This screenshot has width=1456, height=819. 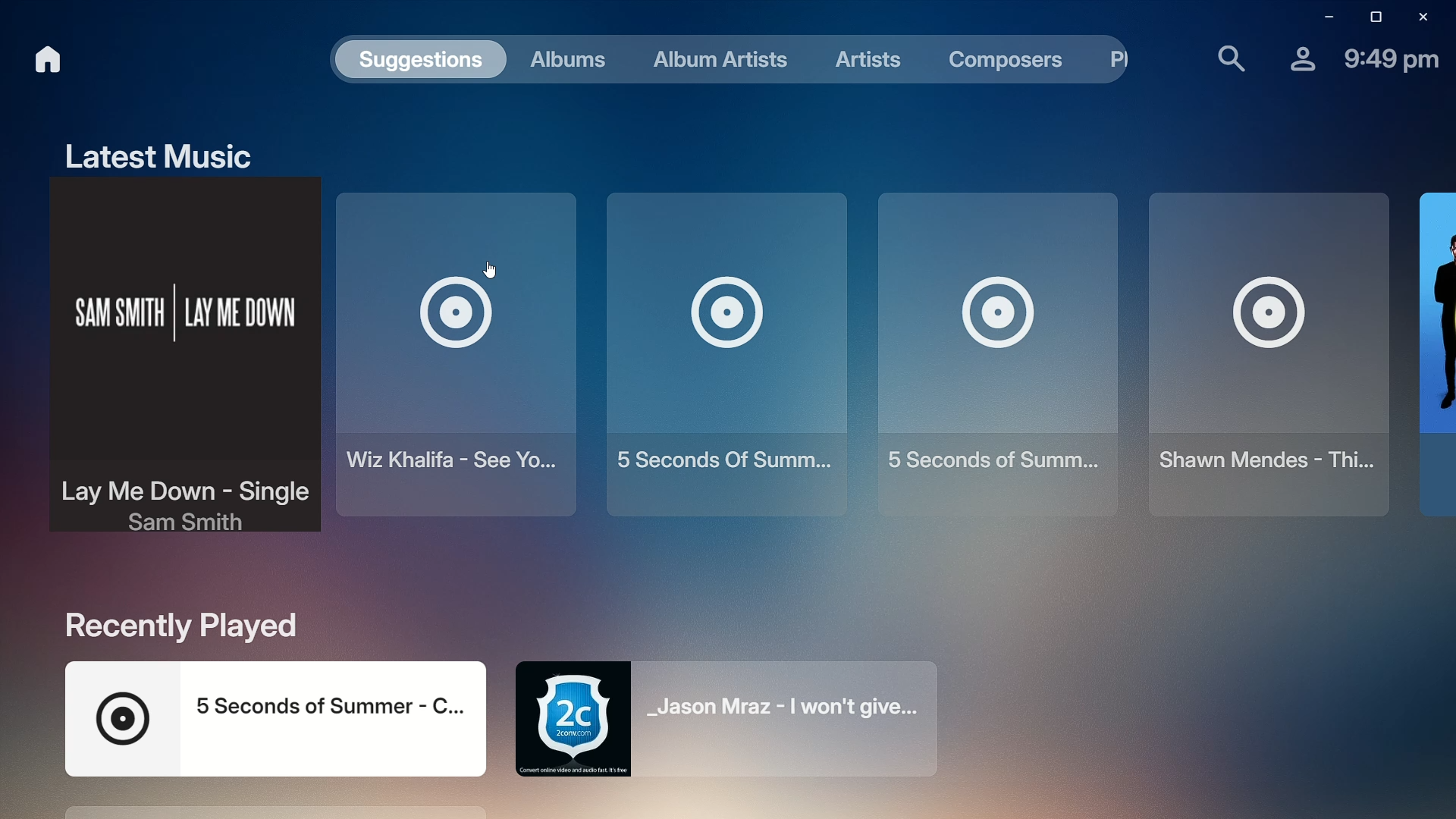 What do you see at coordinates (1111, 60) in the screenshot?
I see `P` at bounding box center [1111, 60].